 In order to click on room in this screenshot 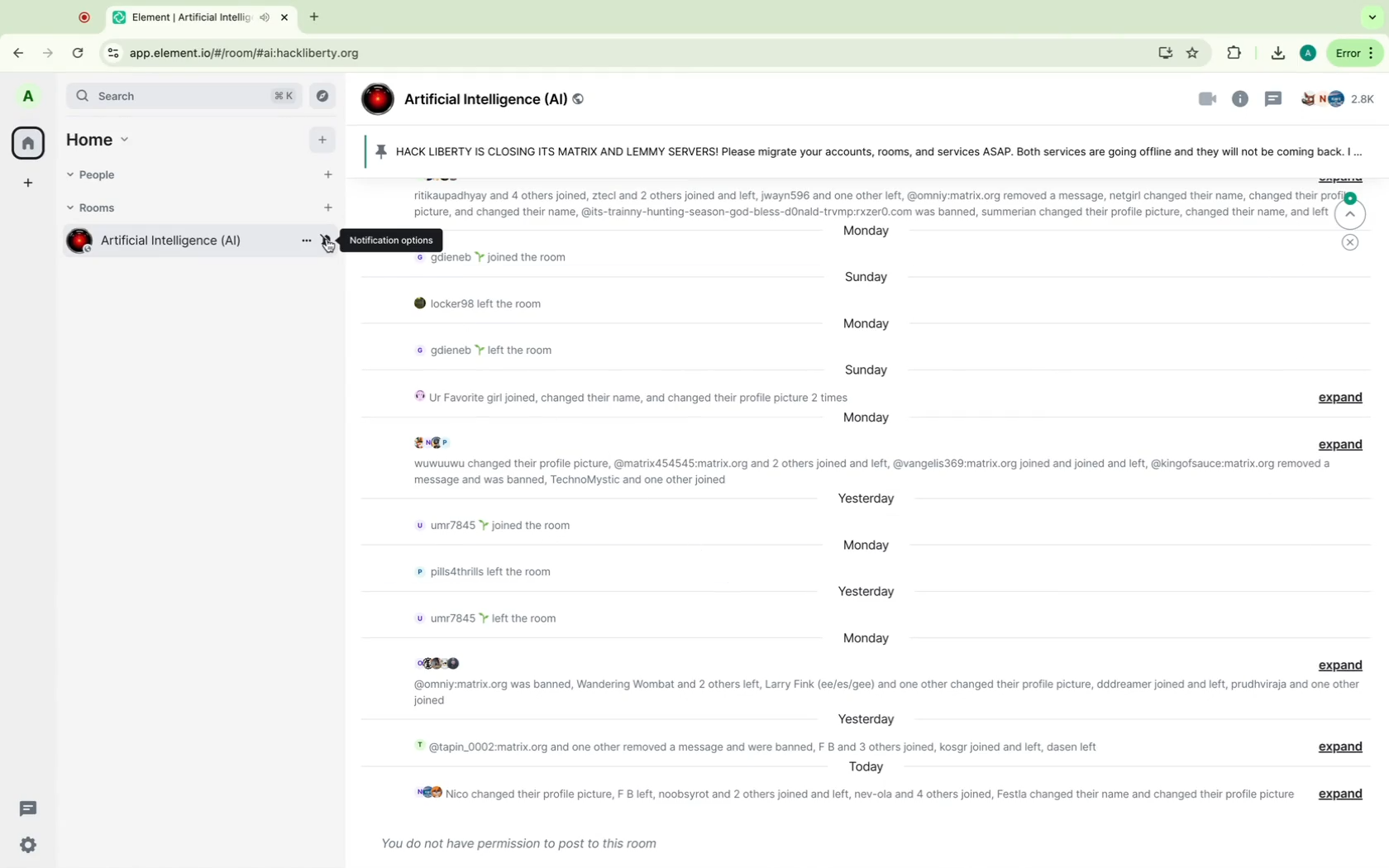, I will do `click(155, 241)`.